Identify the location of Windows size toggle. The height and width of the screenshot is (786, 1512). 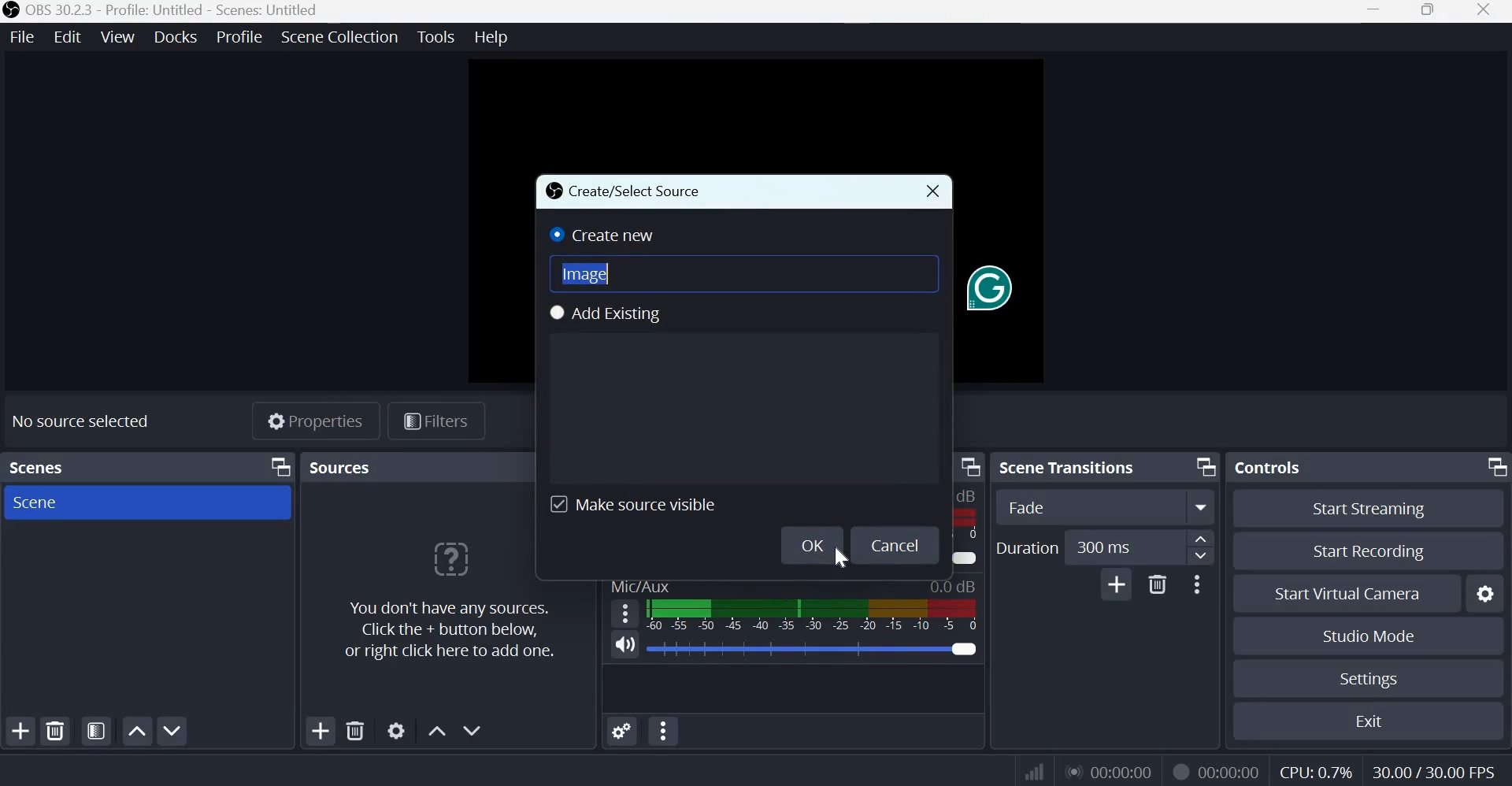
(1428, 11).